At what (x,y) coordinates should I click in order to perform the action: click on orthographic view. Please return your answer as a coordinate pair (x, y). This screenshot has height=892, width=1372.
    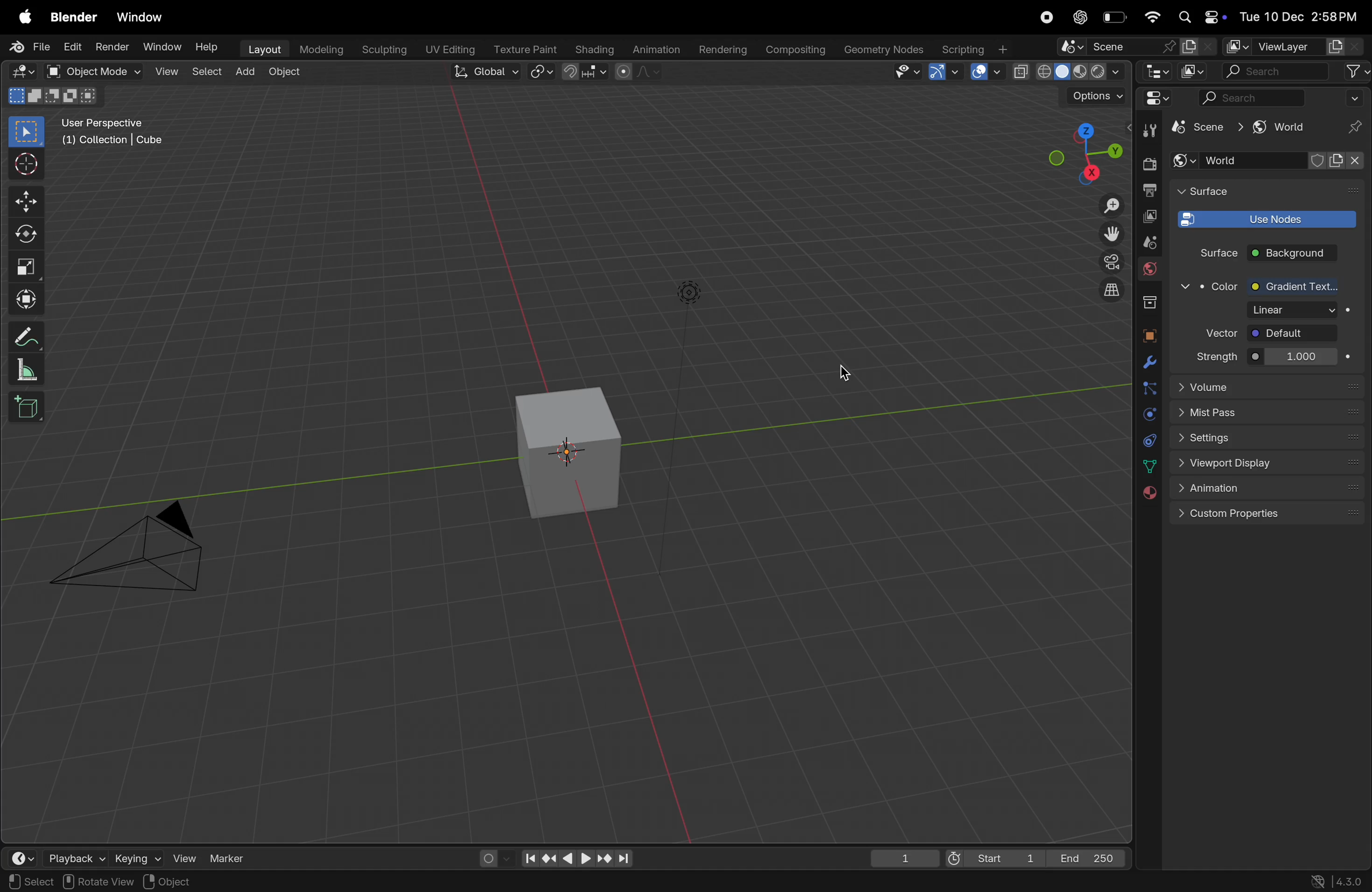
    Looking at the image, I should click on (1113, 286).